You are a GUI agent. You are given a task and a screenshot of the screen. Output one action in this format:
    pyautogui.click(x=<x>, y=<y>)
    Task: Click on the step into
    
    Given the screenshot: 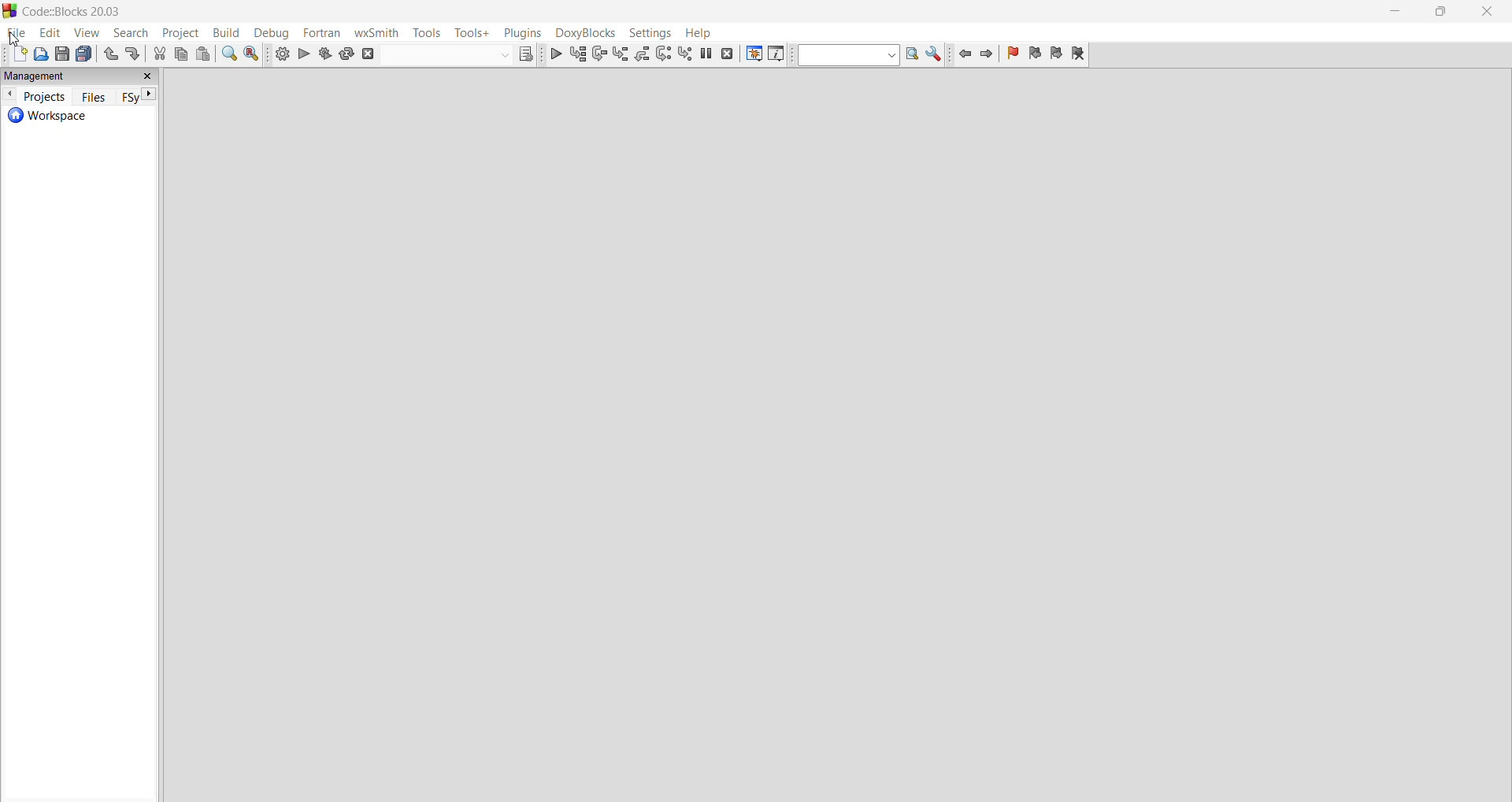 What is the action you would take?
    pyautogui.click(x=622, y=55)
    